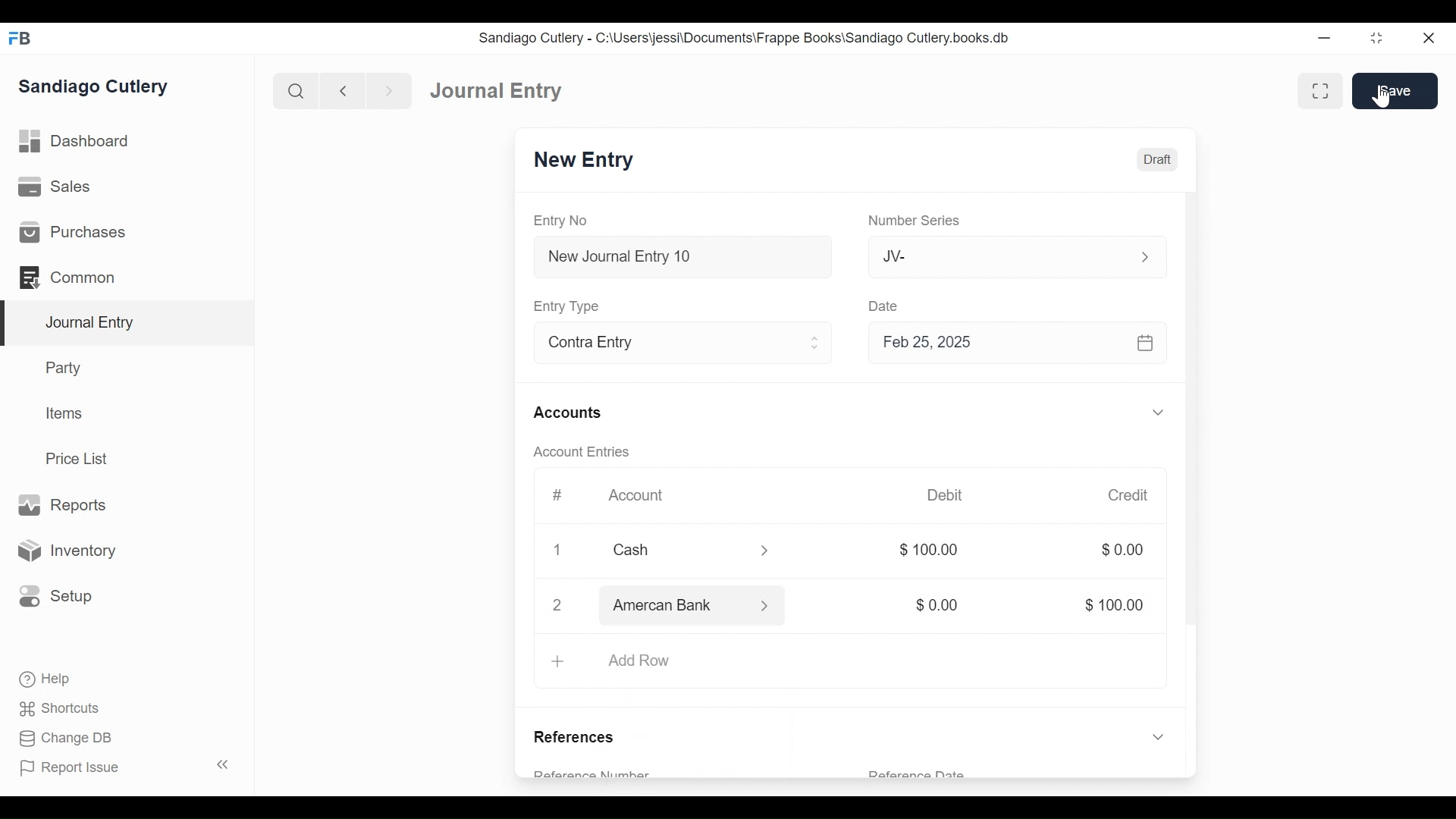 This screenshot has width=1456, height=819. I want to click on +, so click(557, 660).